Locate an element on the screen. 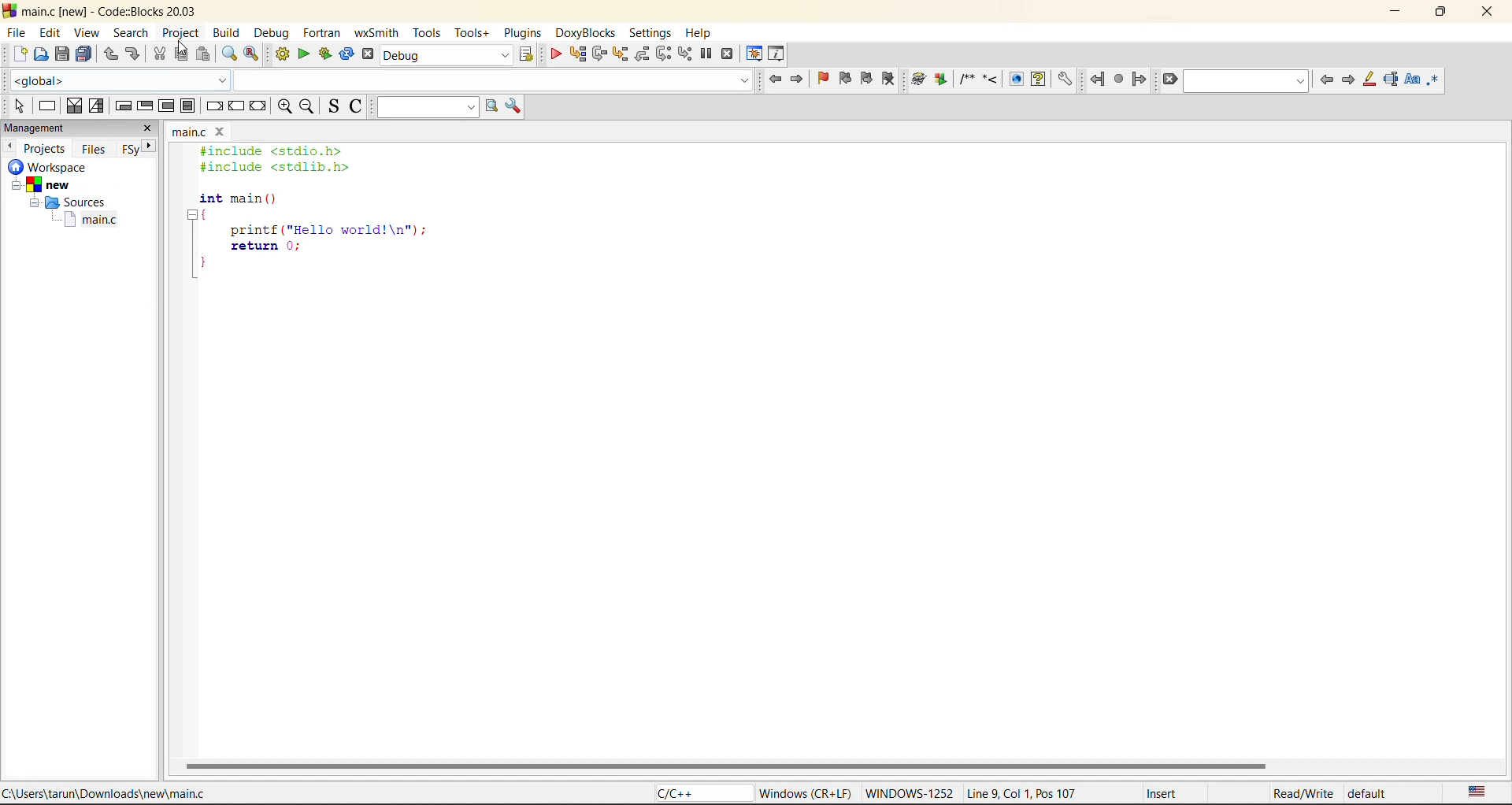 The width and height of the screenshot is (1512, 805). new is located at coordinates (19, 54).